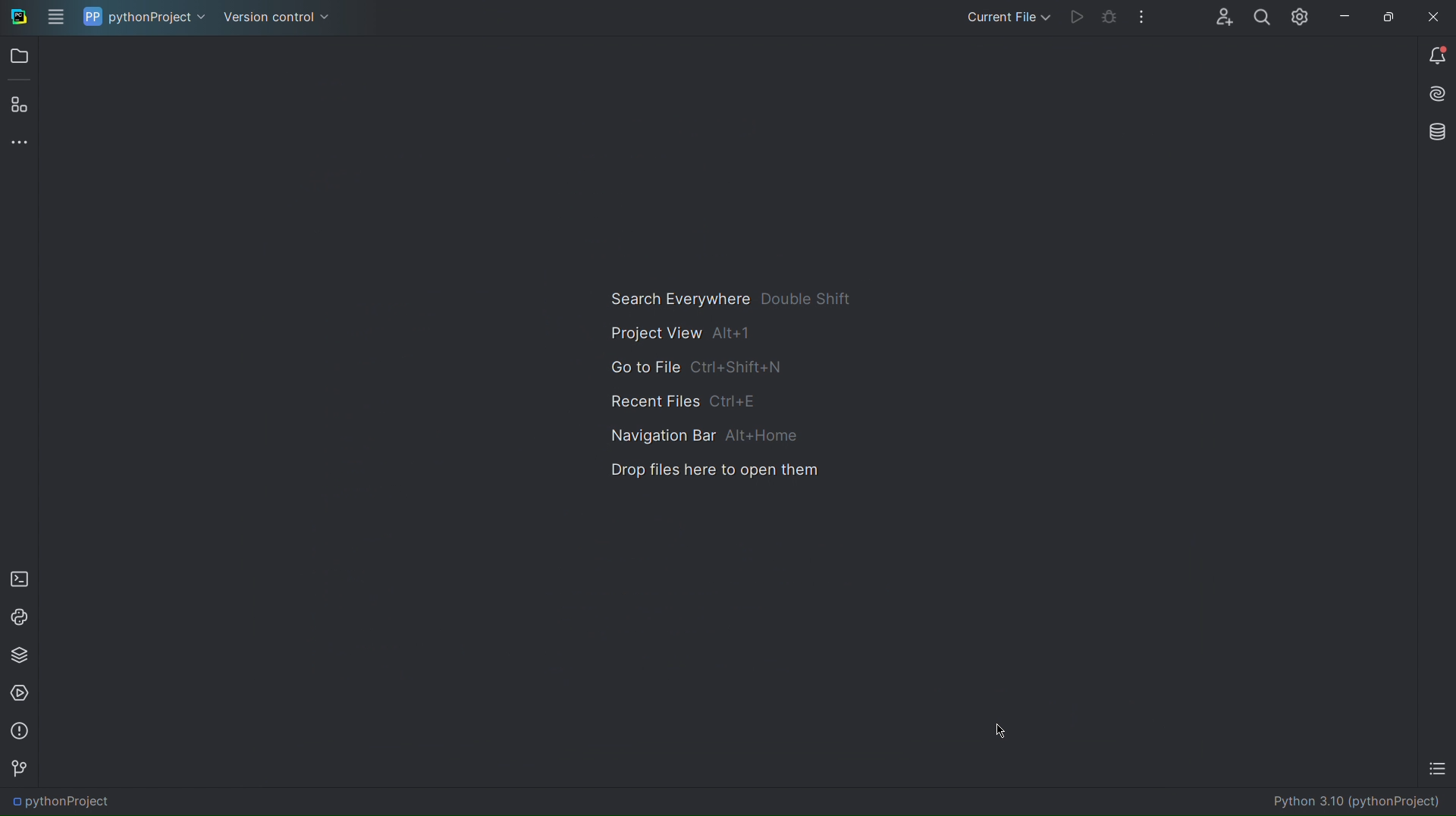 The width and height of the screenshot is (1456, 816). I want to click on Navigation Bar, so click(698, 437).